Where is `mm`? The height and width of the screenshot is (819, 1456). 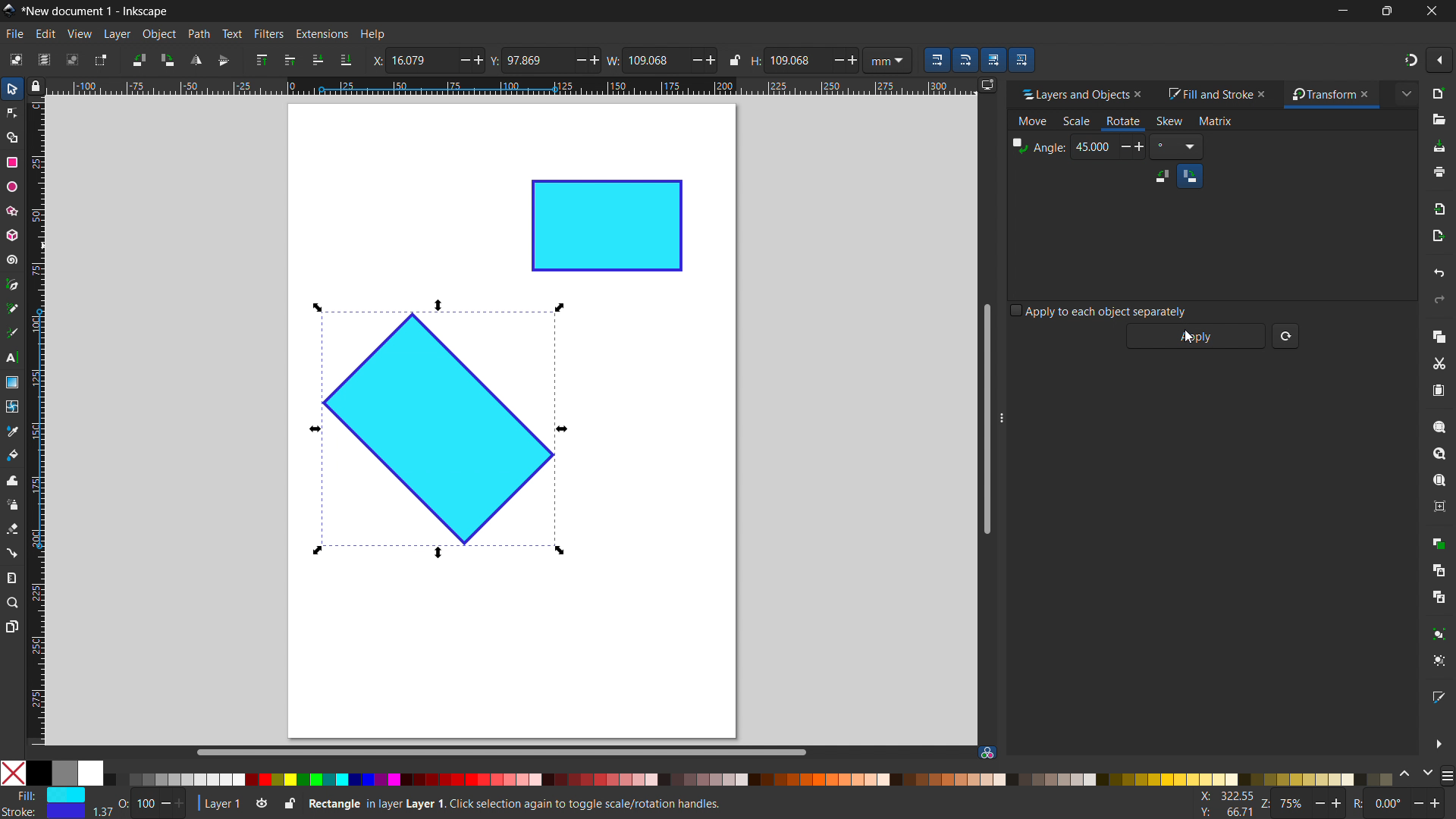 mm is located at coordinates (890, 59).